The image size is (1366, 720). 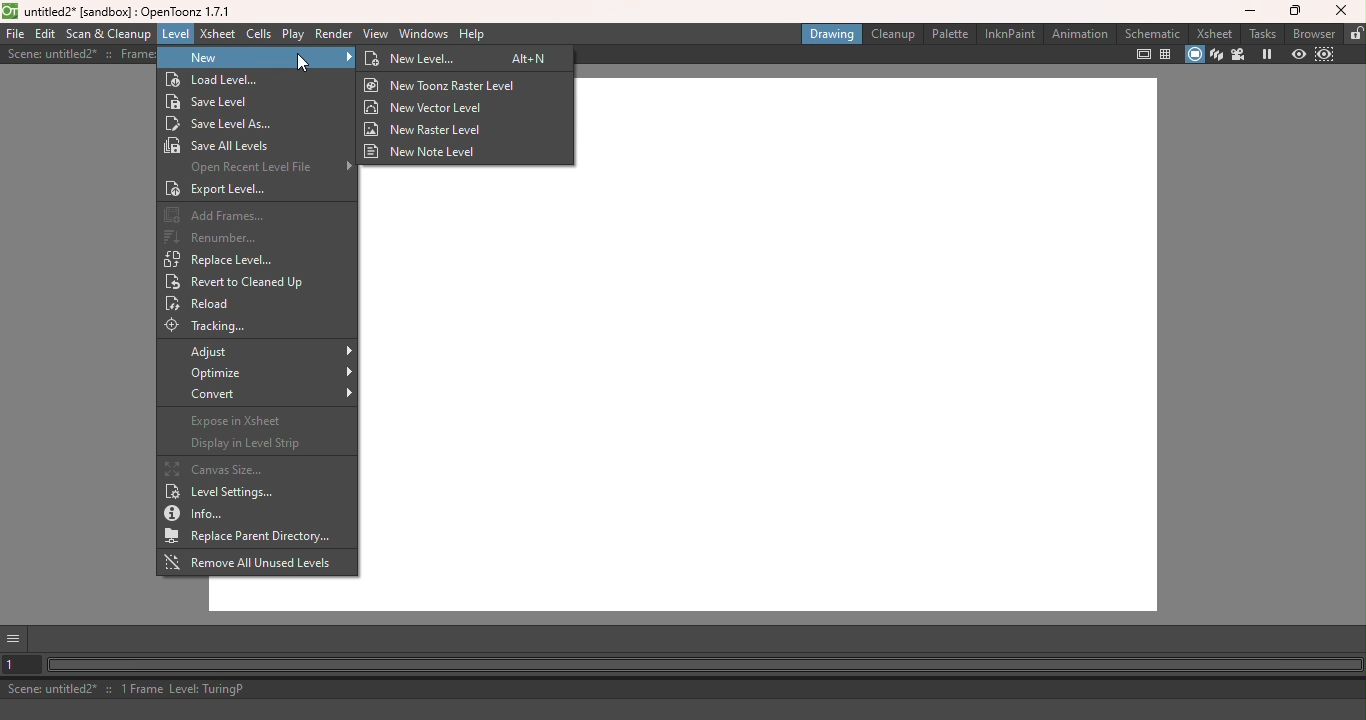 What do you see at coordinates (250, 424) in the screenshot?
I see `Expose in Xsheet` at bounding box center [250, 424].